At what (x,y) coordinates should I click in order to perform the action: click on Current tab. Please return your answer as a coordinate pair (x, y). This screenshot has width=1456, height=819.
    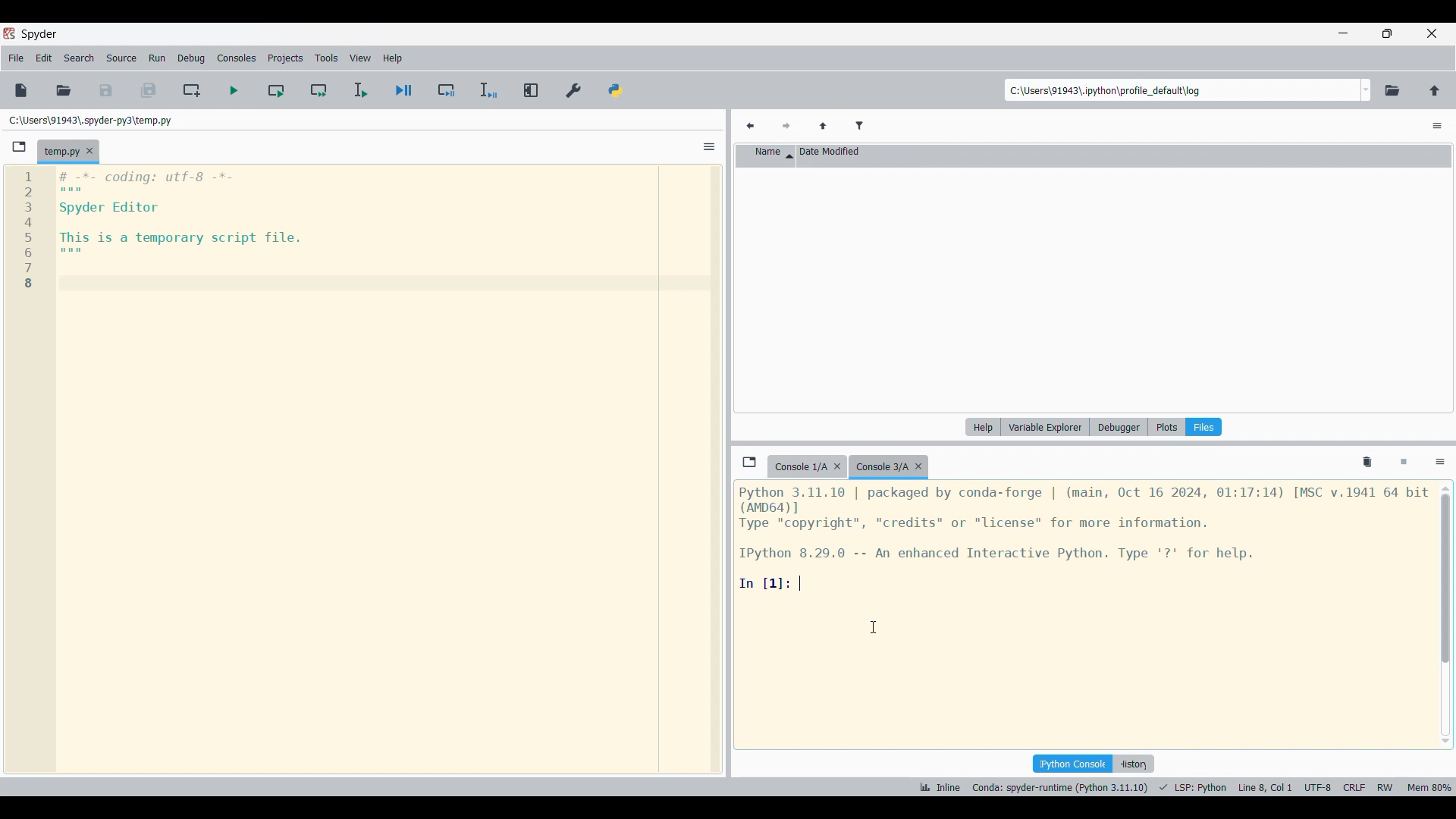
    Looking at the image, I should click on (799, 467).